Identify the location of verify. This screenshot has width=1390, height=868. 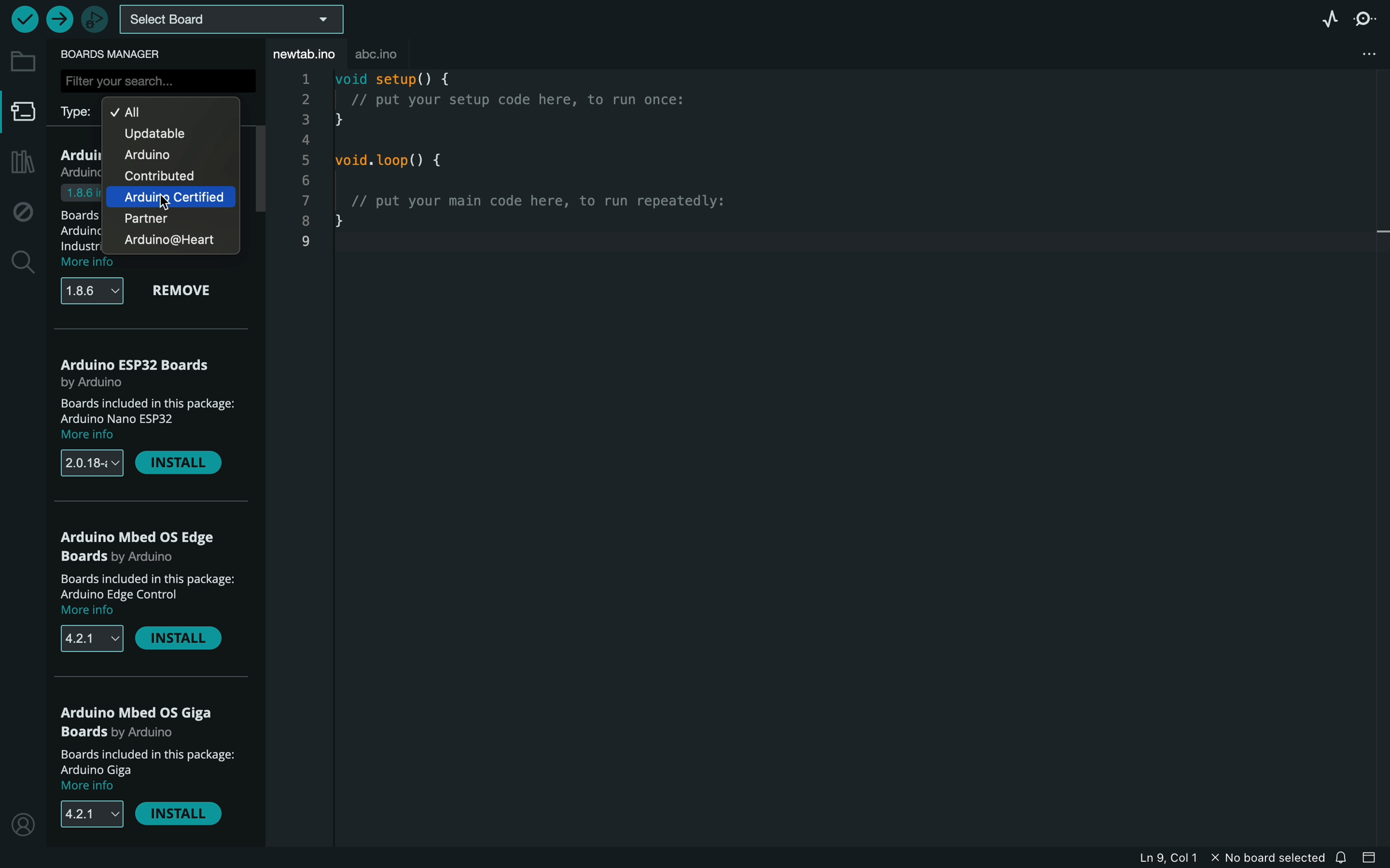
(24, 19).